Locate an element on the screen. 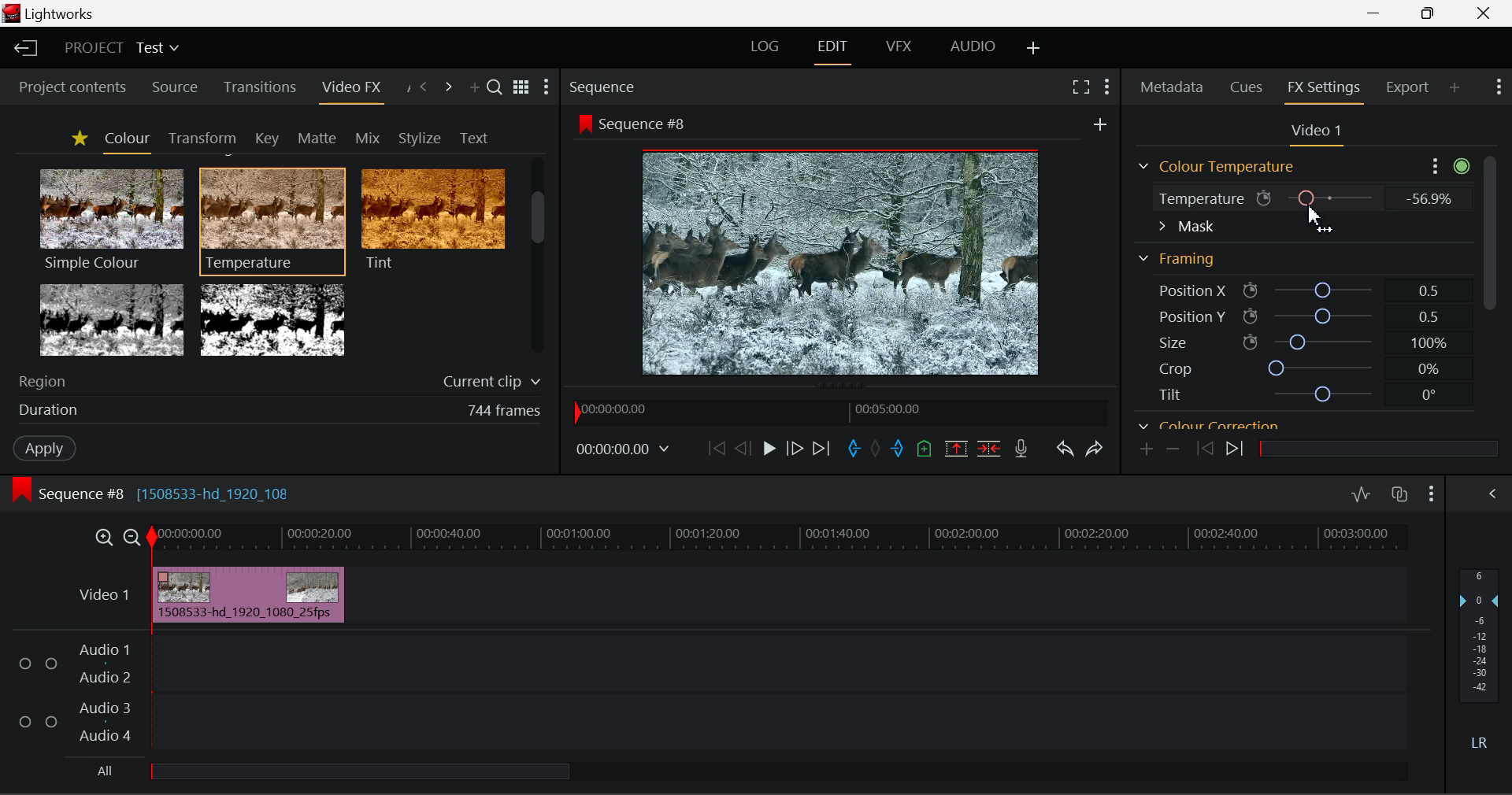  Restore Down is located at coordinates (1374, 12).